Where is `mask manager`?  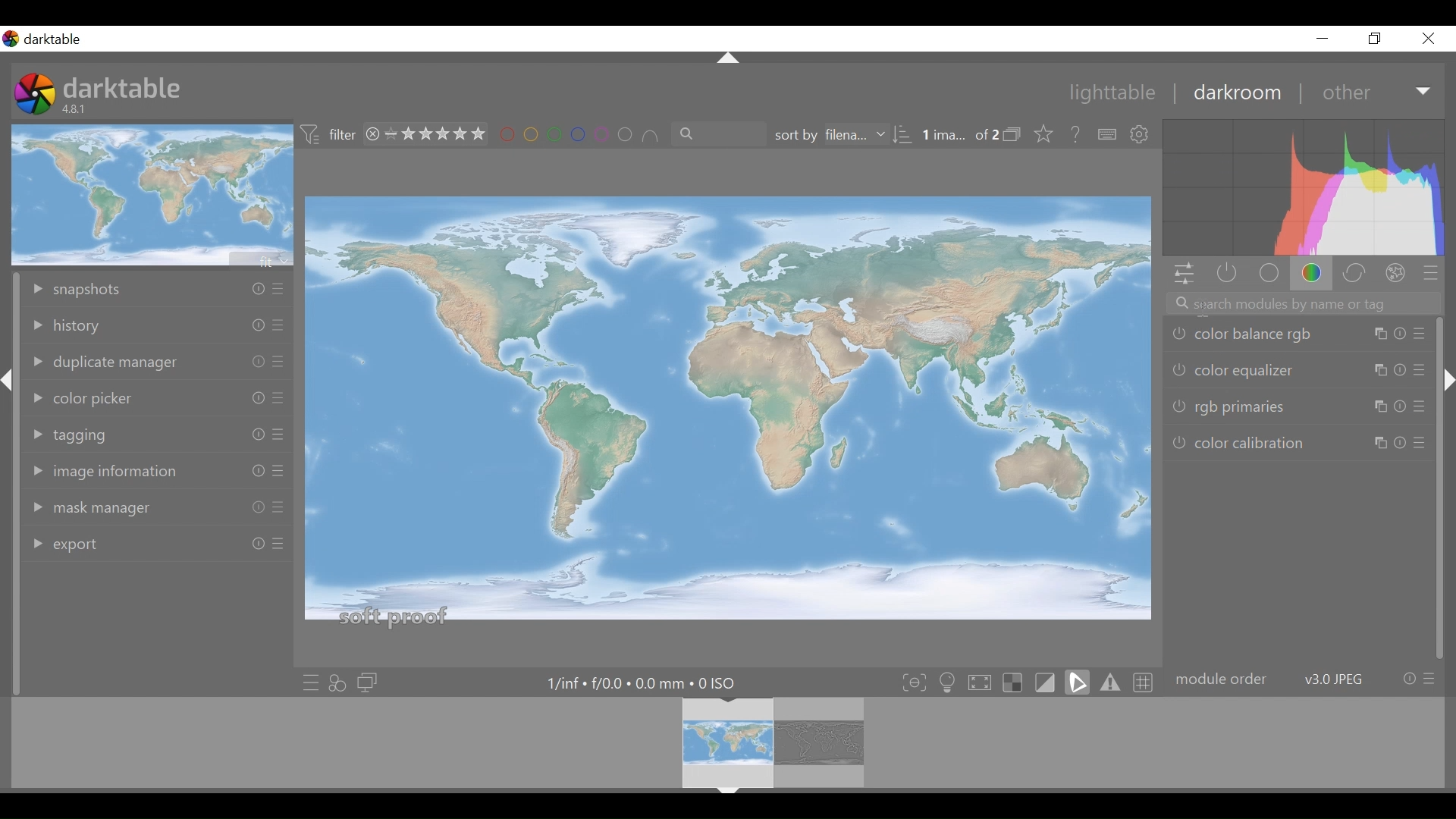
mask manager is located at coordinates (158, 505).